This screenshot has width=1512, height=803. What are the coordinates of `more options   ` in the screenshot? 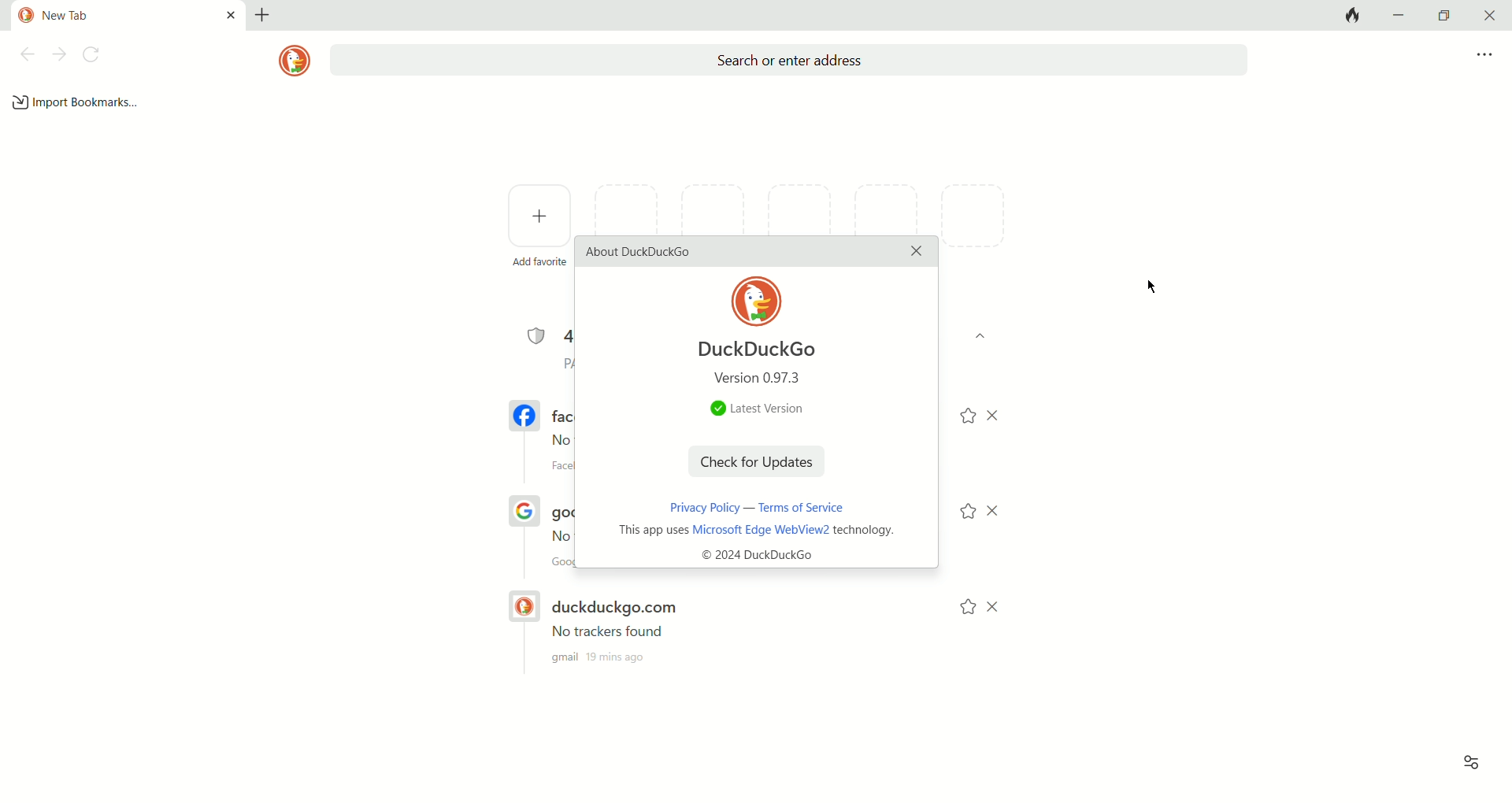 It's located at (1483, 56).